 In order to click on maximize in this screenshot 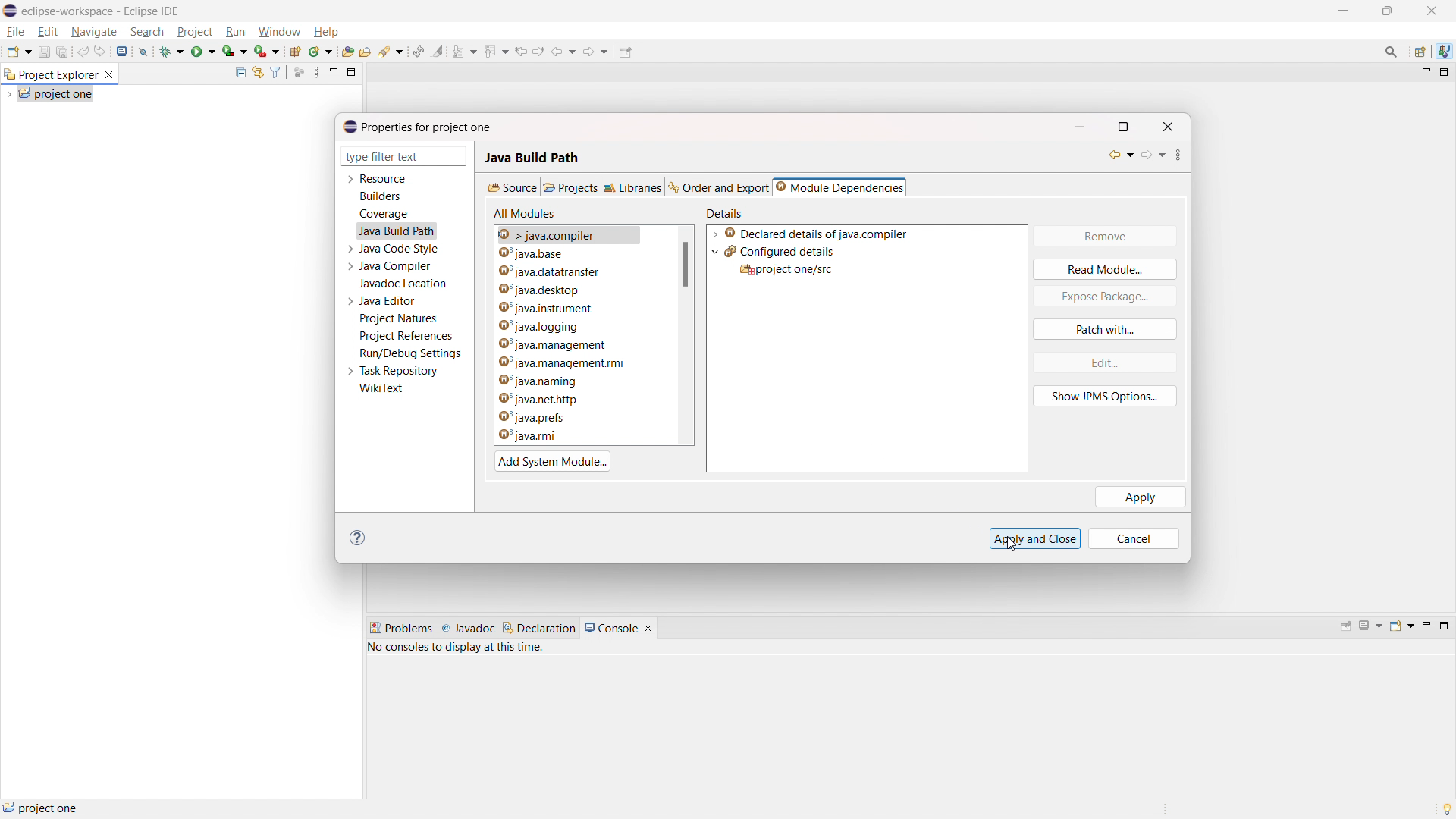, I will do `click(1445, 73)`.